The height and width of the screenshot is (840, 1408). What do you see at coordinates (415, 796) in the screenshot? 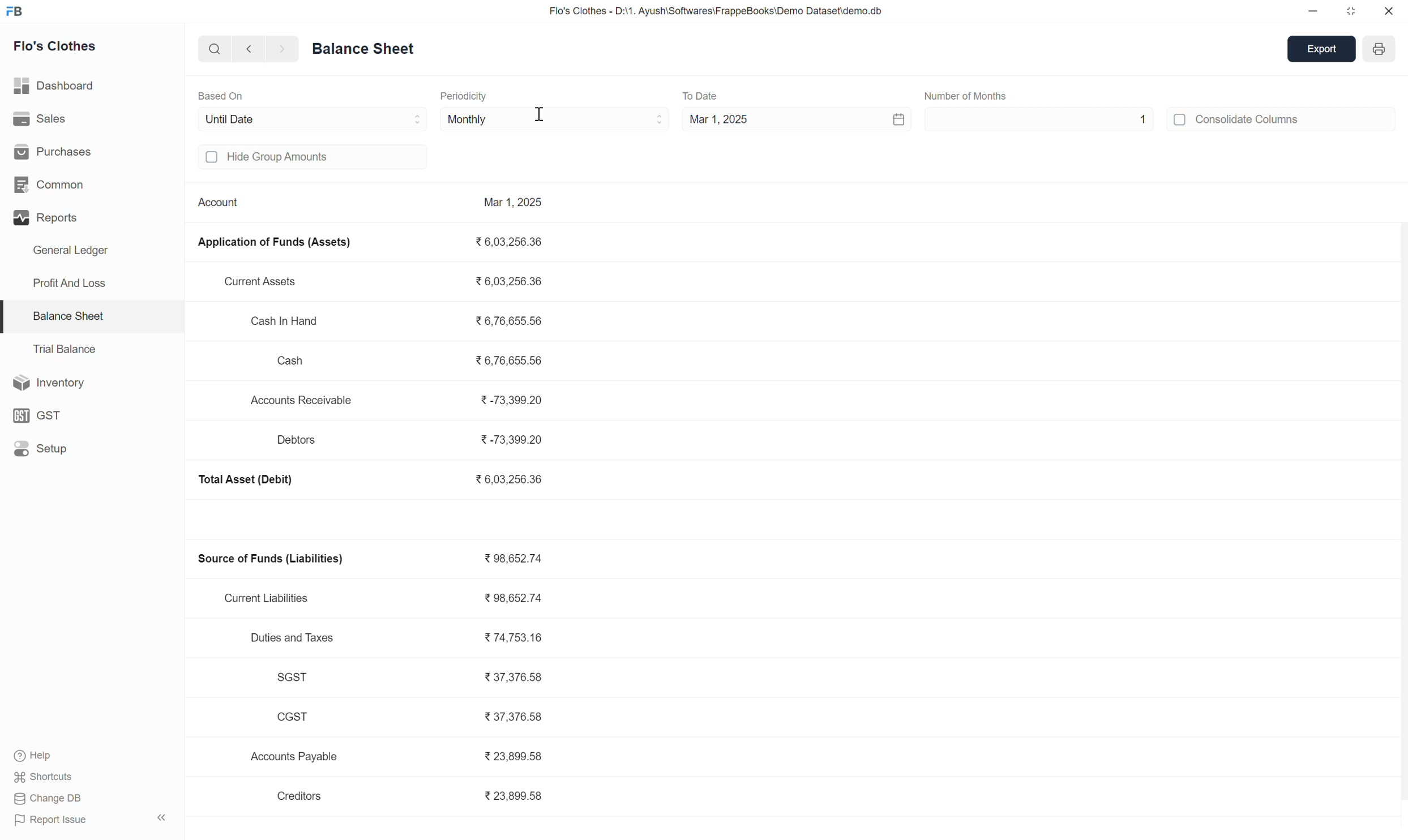
I see `Creditors 23,899.58` at bounding box center [415, 796].